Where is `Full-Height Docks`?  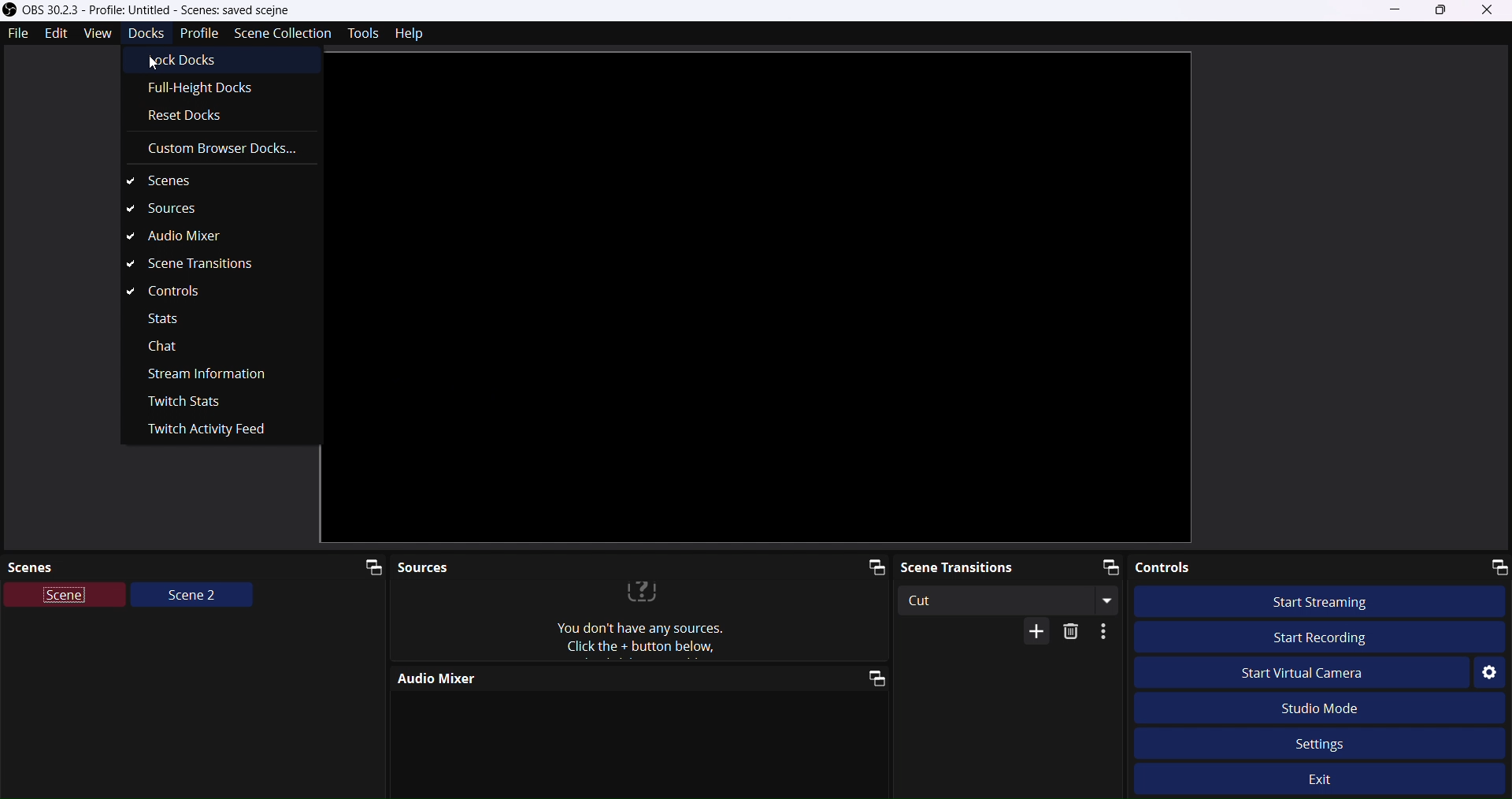 Full-Height Docks is located at coordinates (214, 90).